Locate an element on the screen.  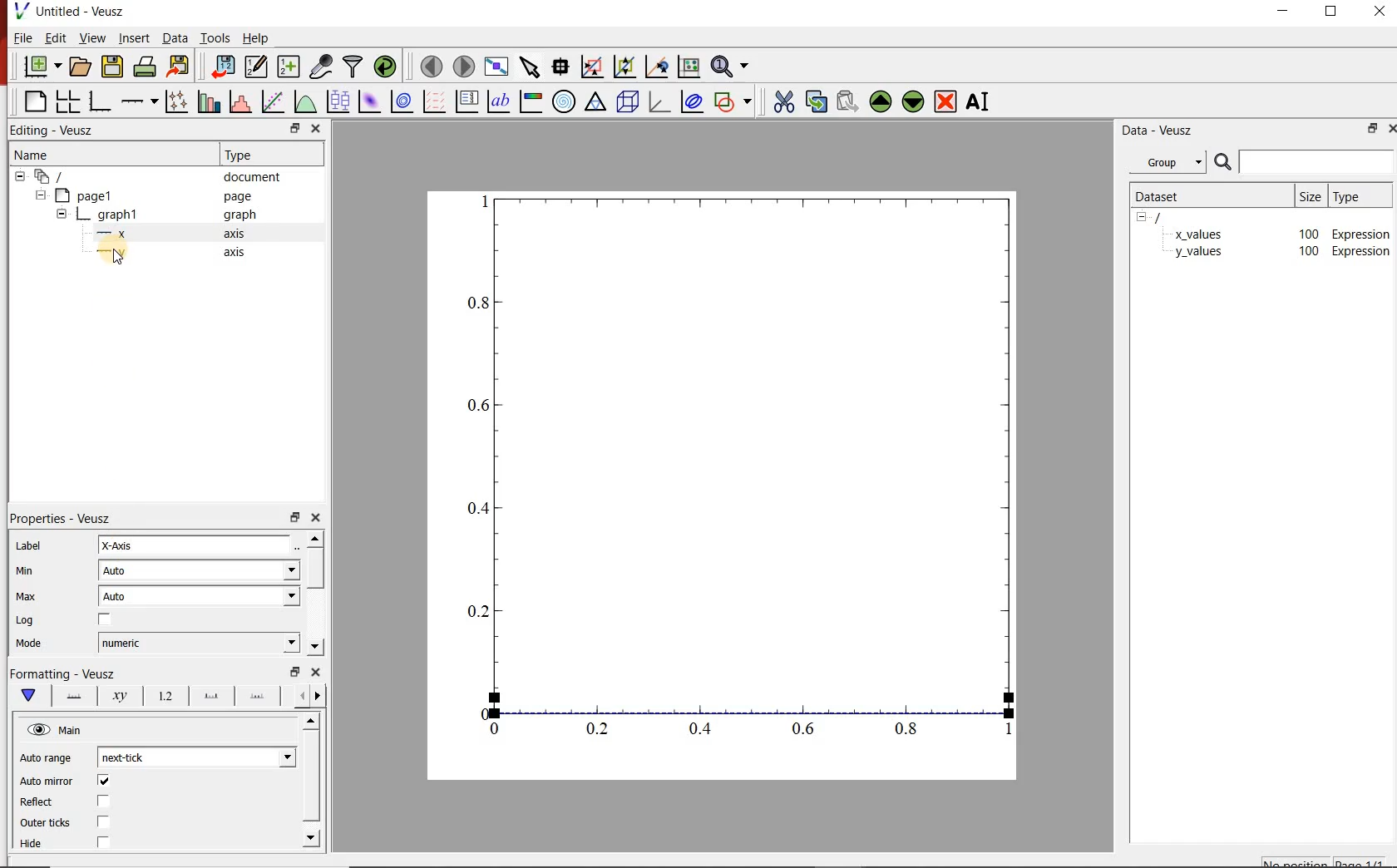
new document is located at coordinates (42, 65).